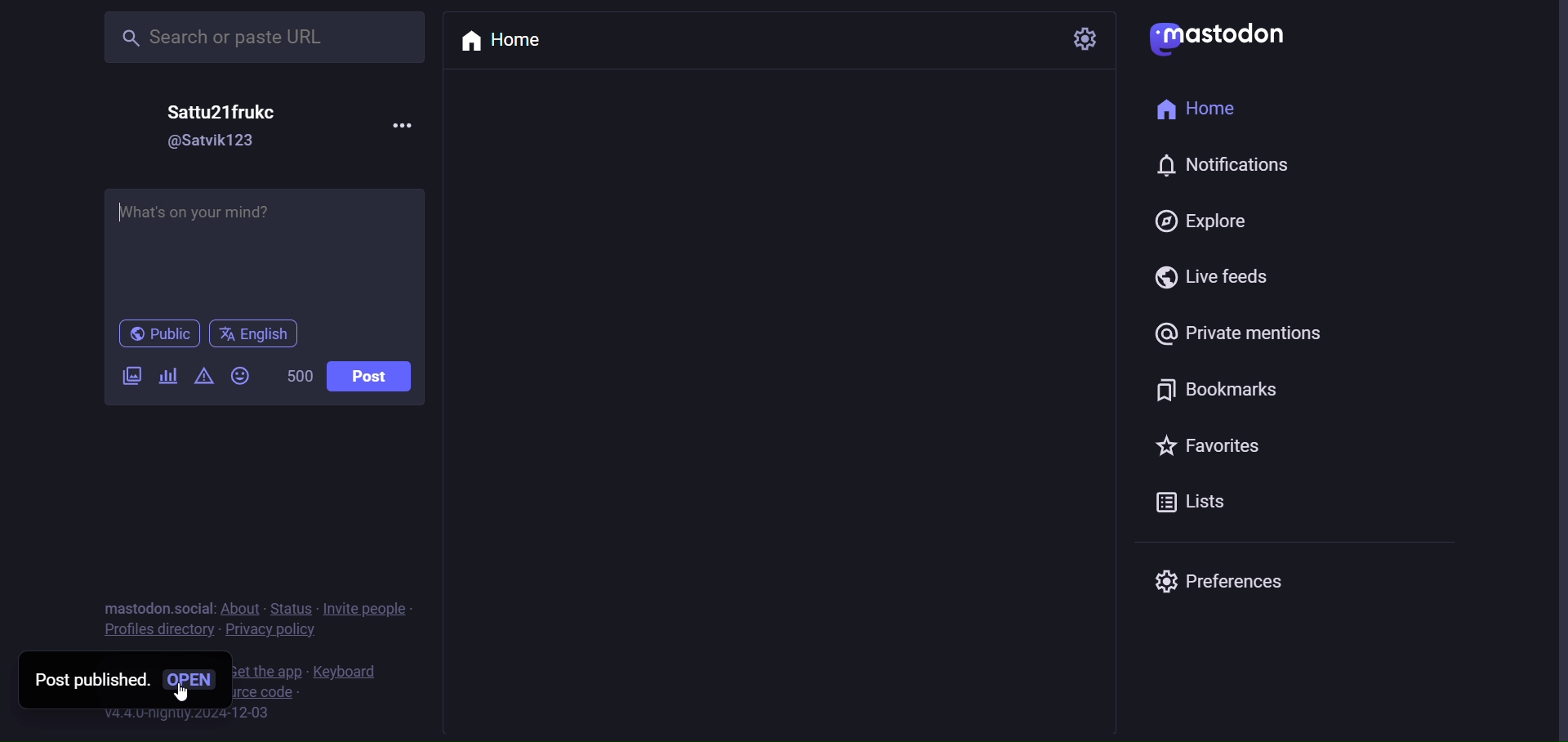  Describe the element at coordinates (500, 41) in the screenshot. I see `home` at that location.